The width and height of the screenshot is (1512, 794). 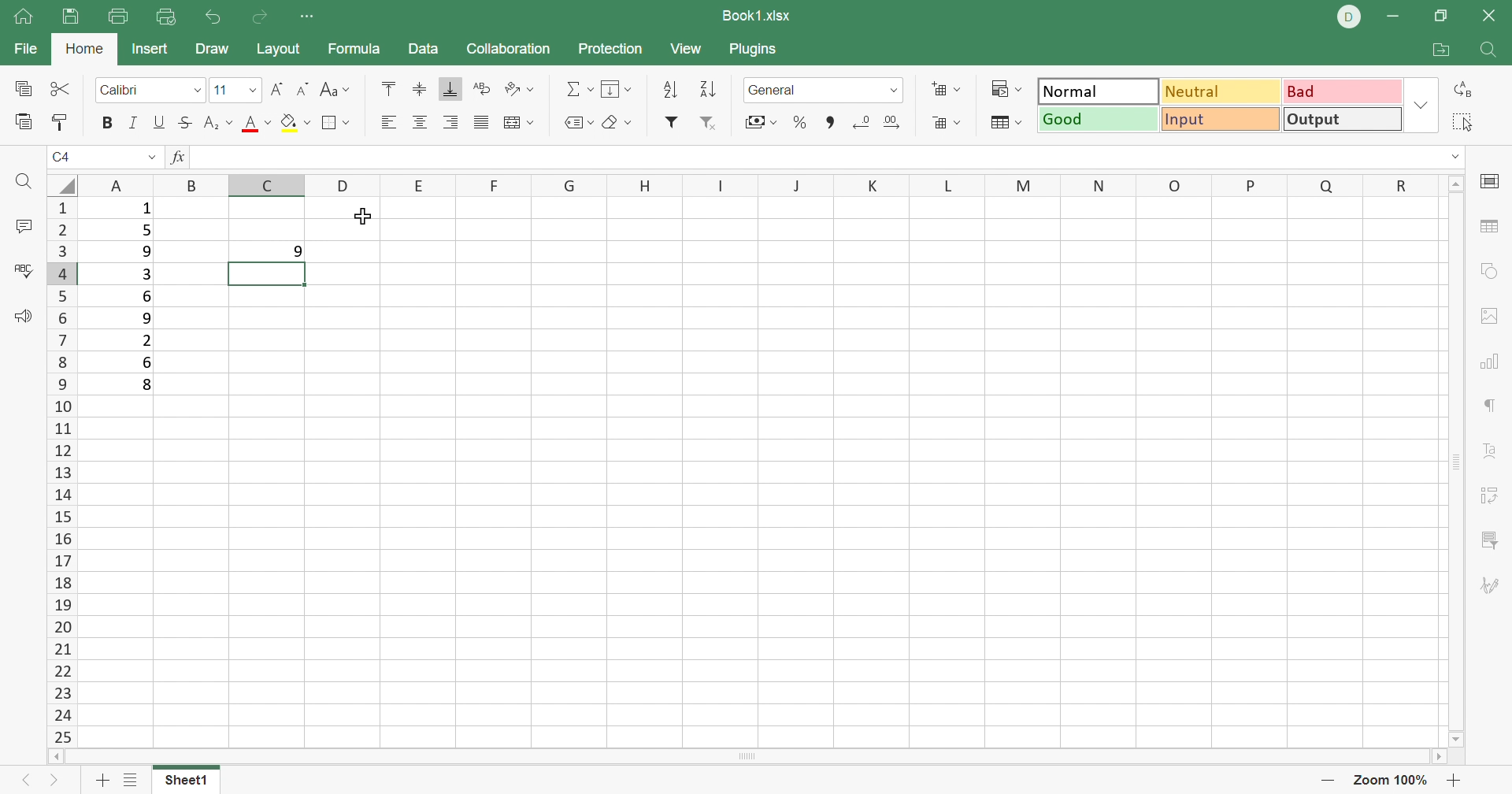 I want to click on quick print, so click(x=163, y=17).